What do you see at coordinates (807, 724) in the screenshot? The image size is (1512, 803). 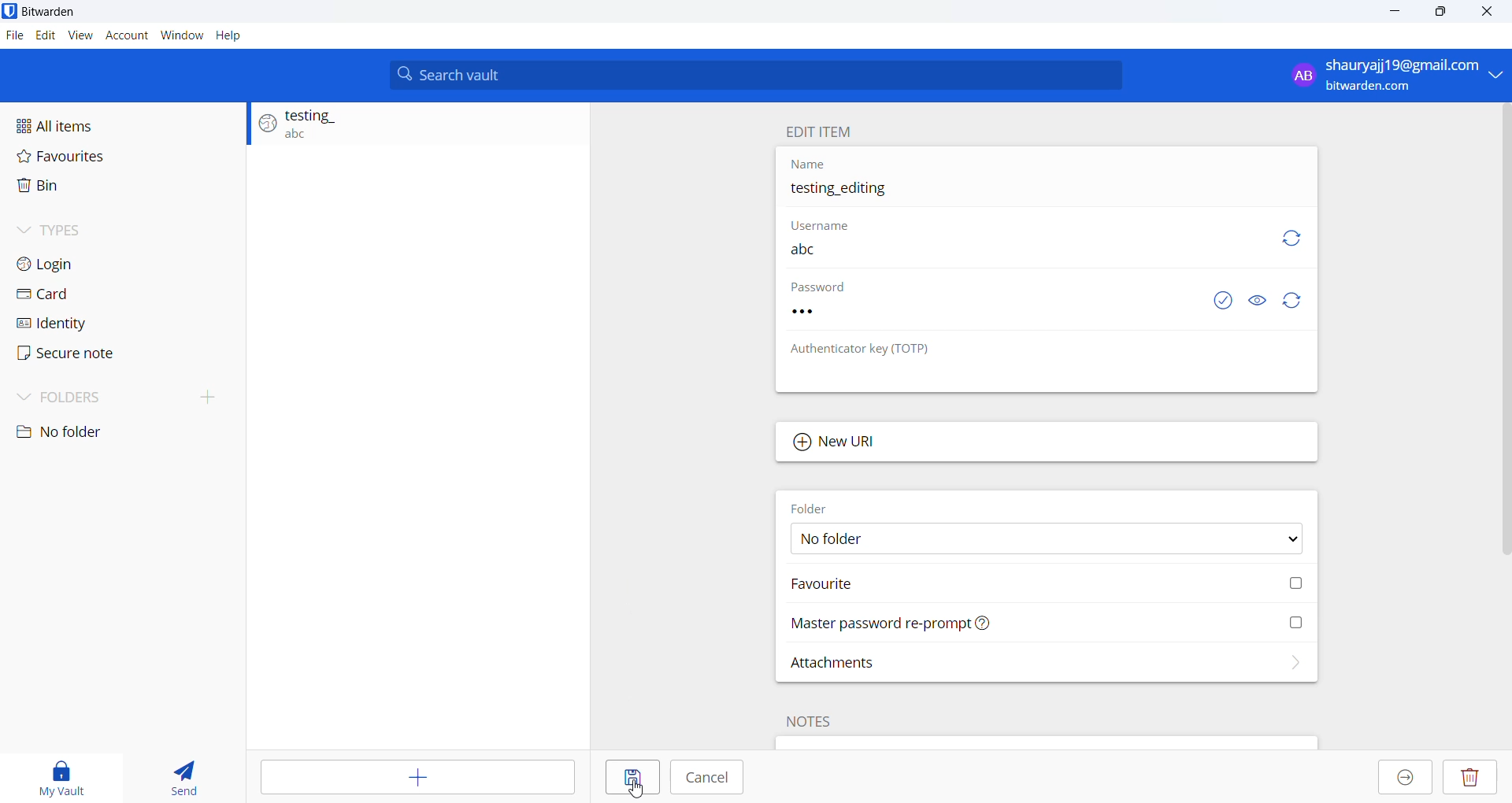 I see `Note heading` at bounding box center [807, 724].